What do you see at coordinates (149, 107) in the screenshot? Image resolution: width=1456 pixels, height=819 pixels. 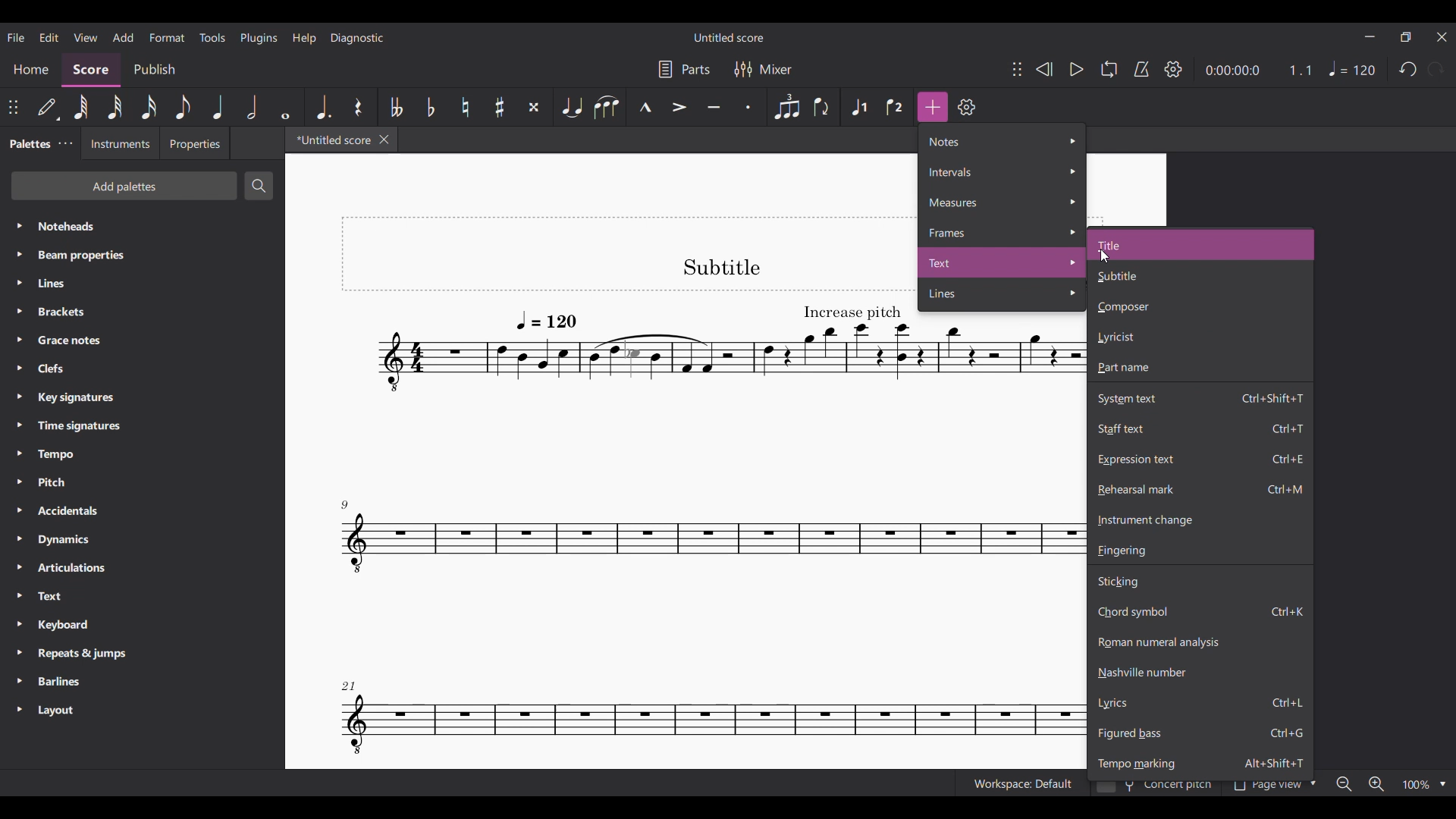 I see `16th note` at bounding box center [149, 107].